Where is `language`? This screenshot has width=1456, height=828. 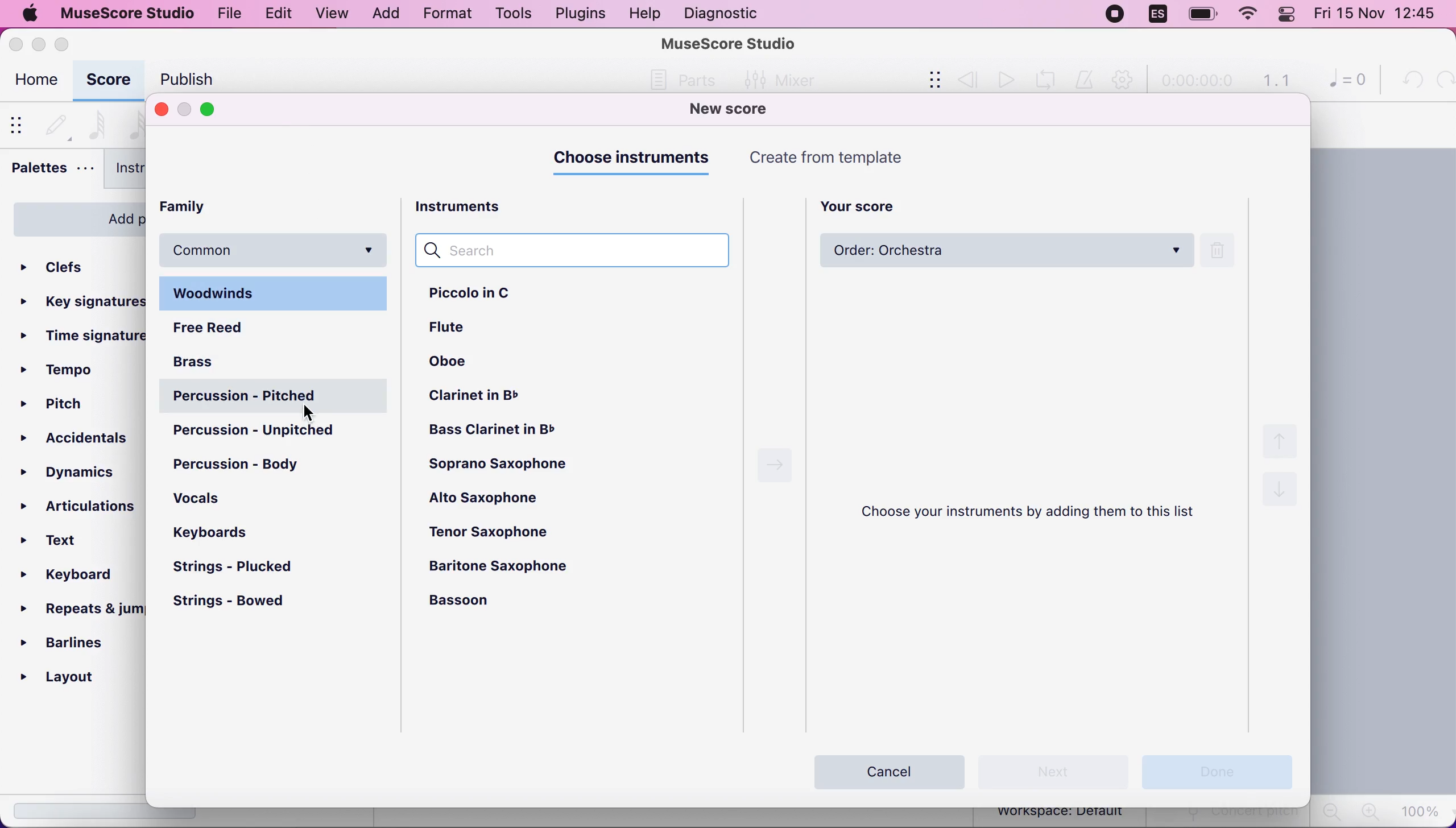 language is located at coordinates (1157, 14).